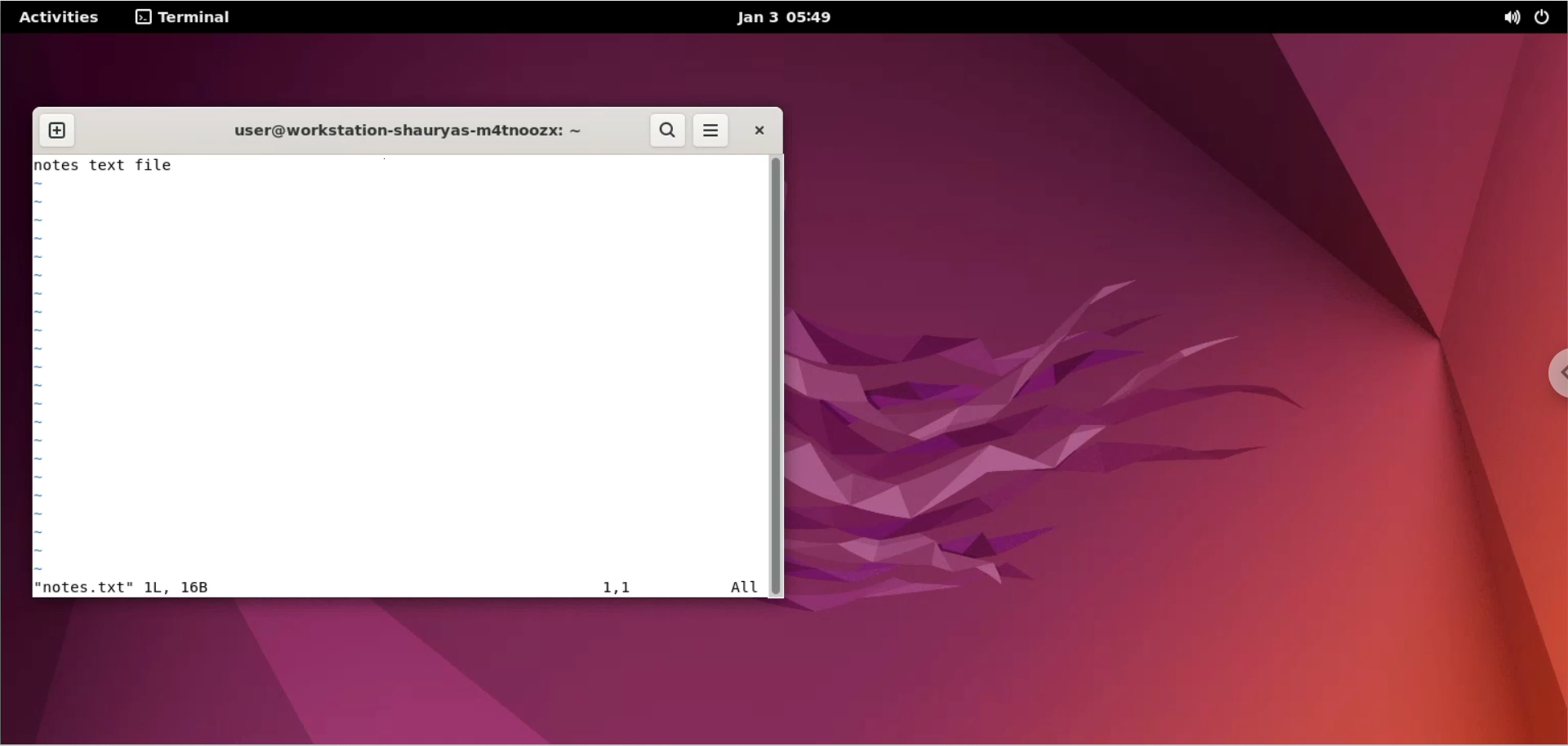  I want to click on notes text file, so click(399, 165).